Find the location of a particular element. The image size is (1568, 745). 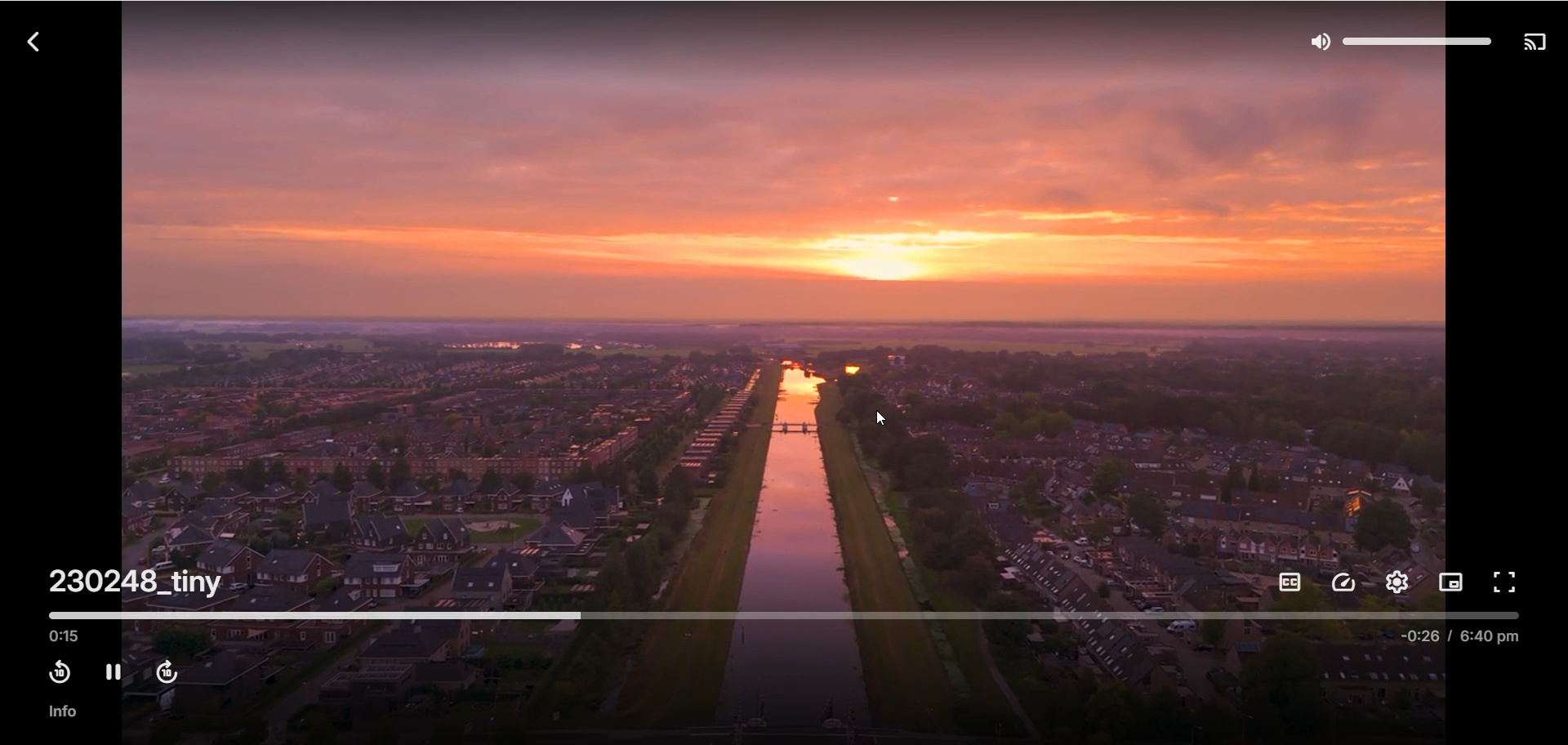

playback speed is located at coordinates (1341, 583).